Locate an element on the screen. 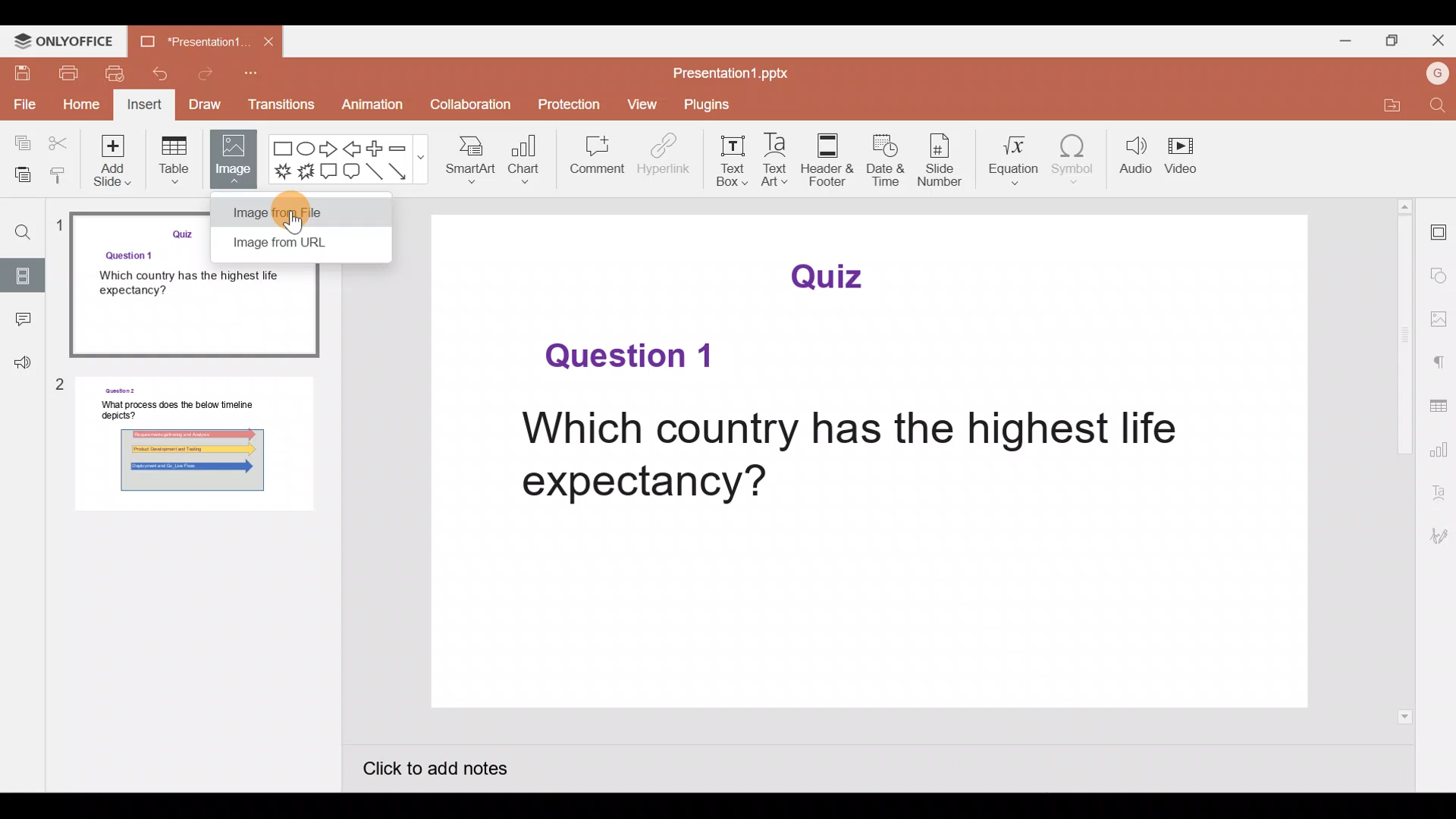 The width and height of the screenshot is (1456, 819). Image is located at coordinates (233, 162).